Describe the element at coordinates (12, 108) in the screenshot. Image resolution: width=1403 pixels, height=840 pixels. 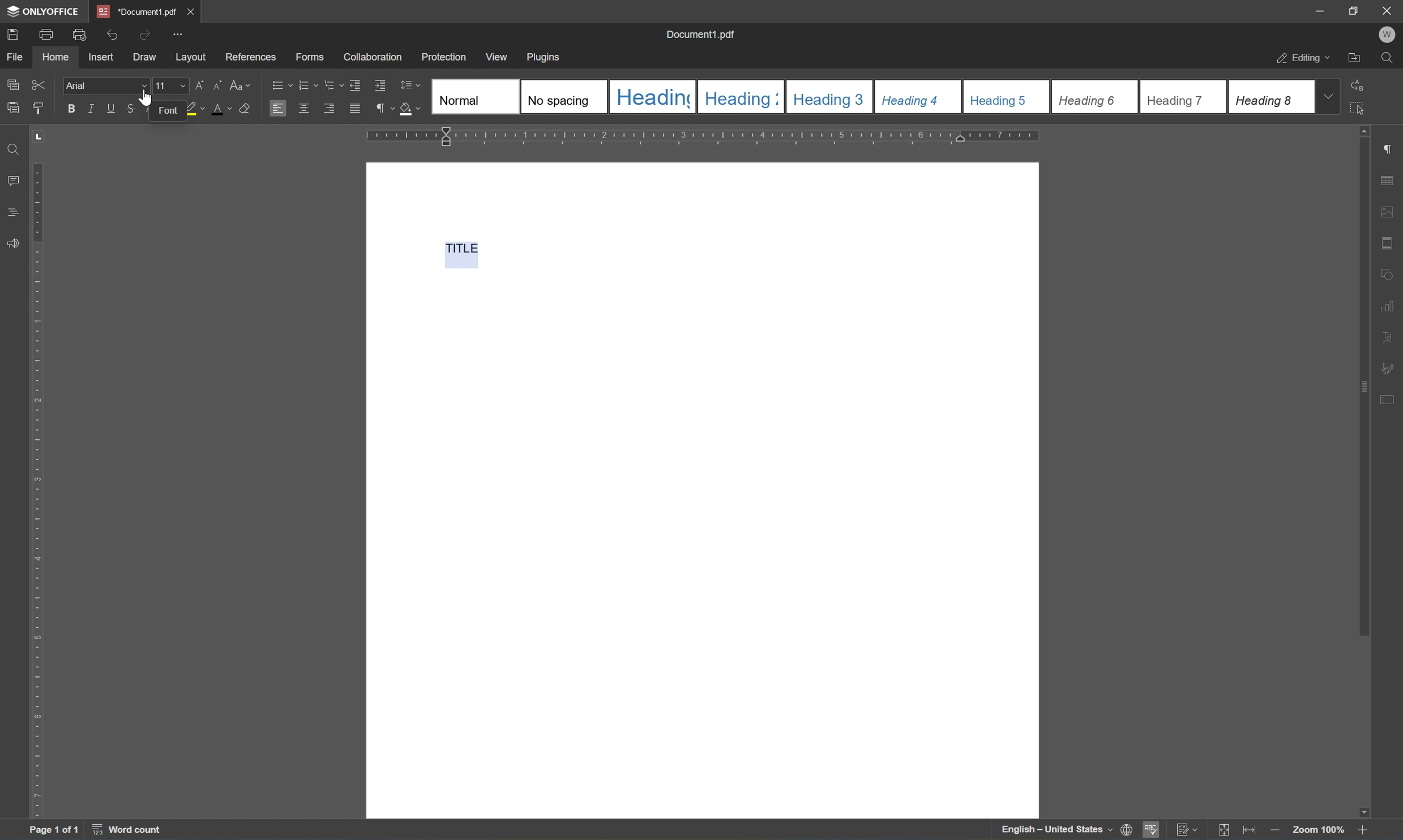
I see `paste` at that location.